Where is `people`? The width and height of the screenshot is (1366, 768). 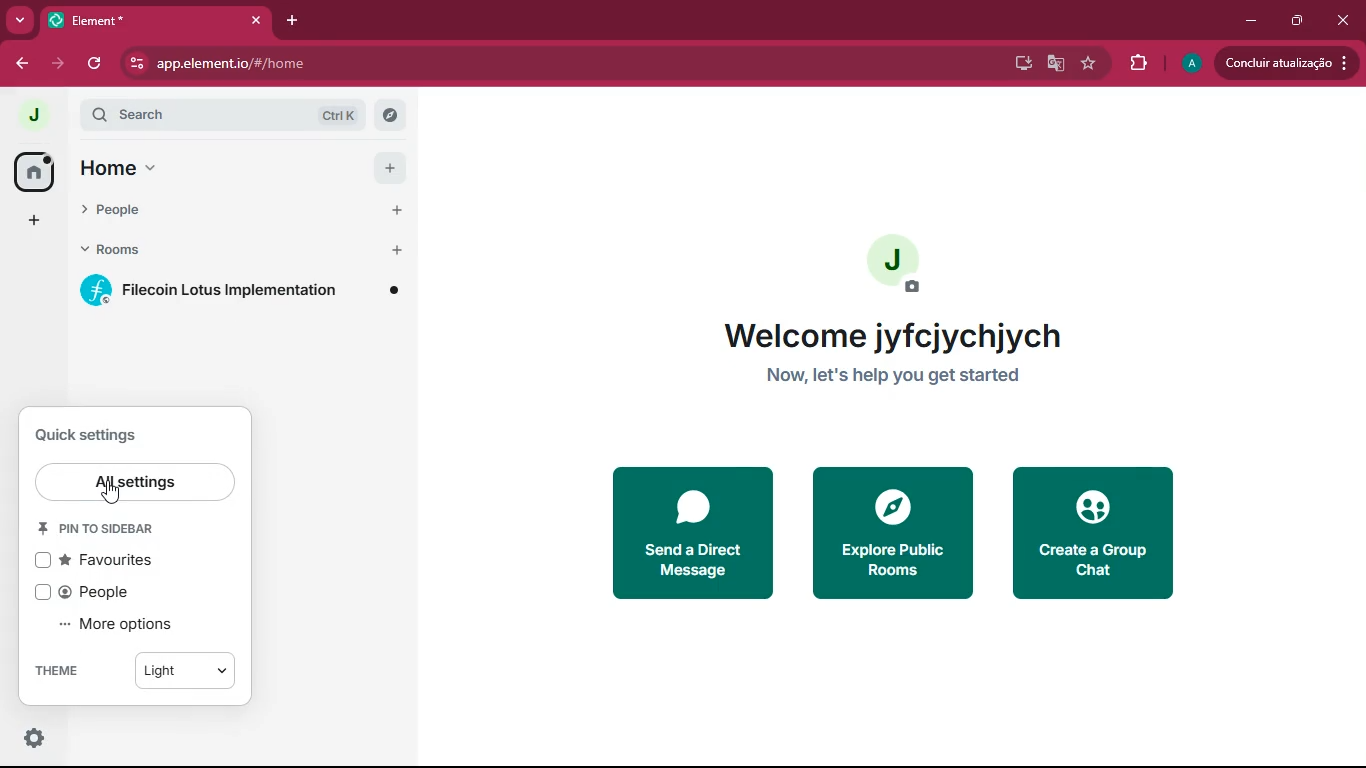
people is located at coordinates (198, 213).